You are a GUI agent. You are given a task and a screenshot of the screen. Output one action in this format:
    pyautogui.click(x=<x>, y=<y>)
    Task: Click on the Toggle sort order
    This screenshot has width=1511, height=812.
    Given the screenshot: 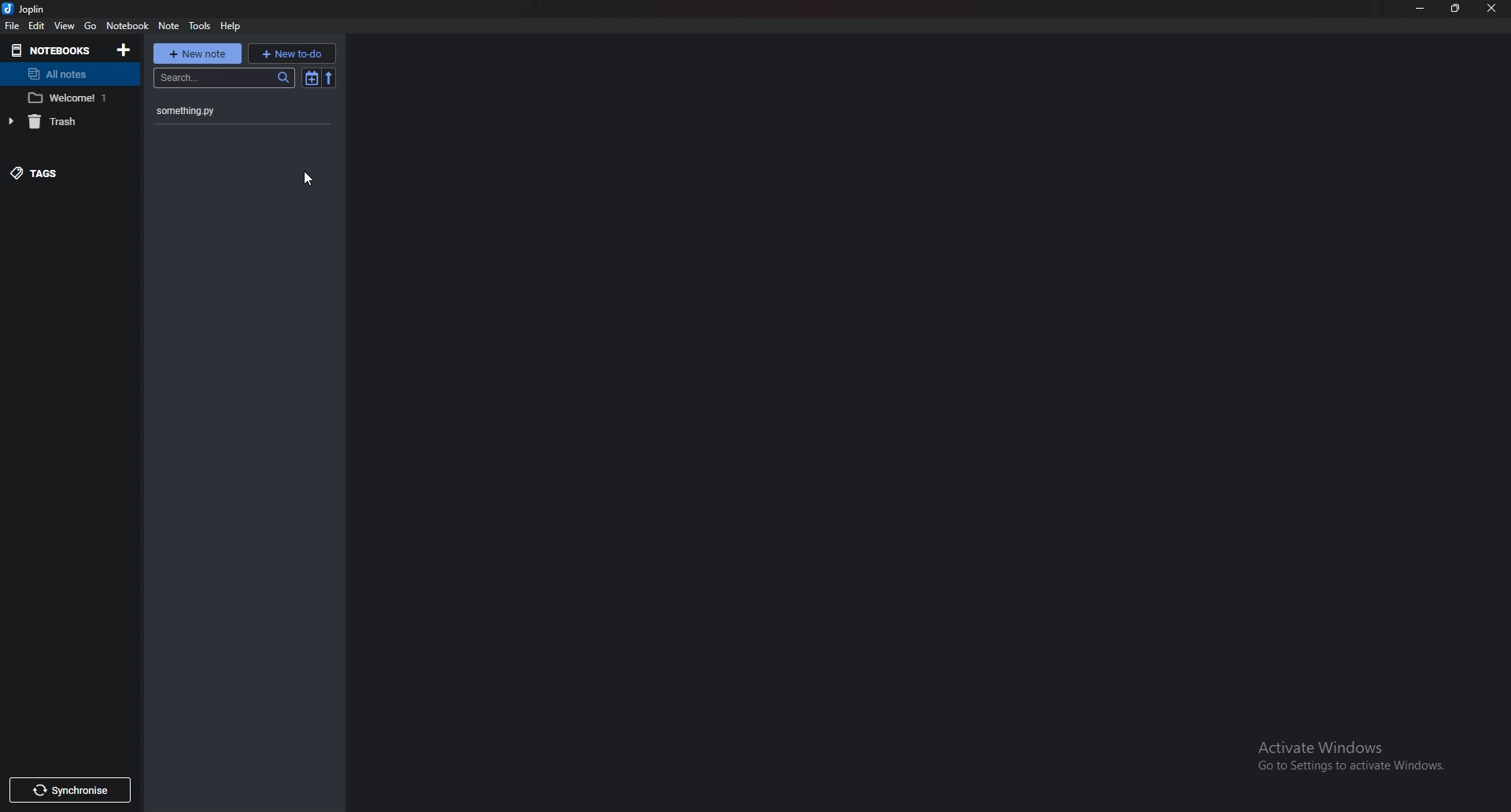 What is the action you would take?
    pyautogui.click(x=312, y=79)
    